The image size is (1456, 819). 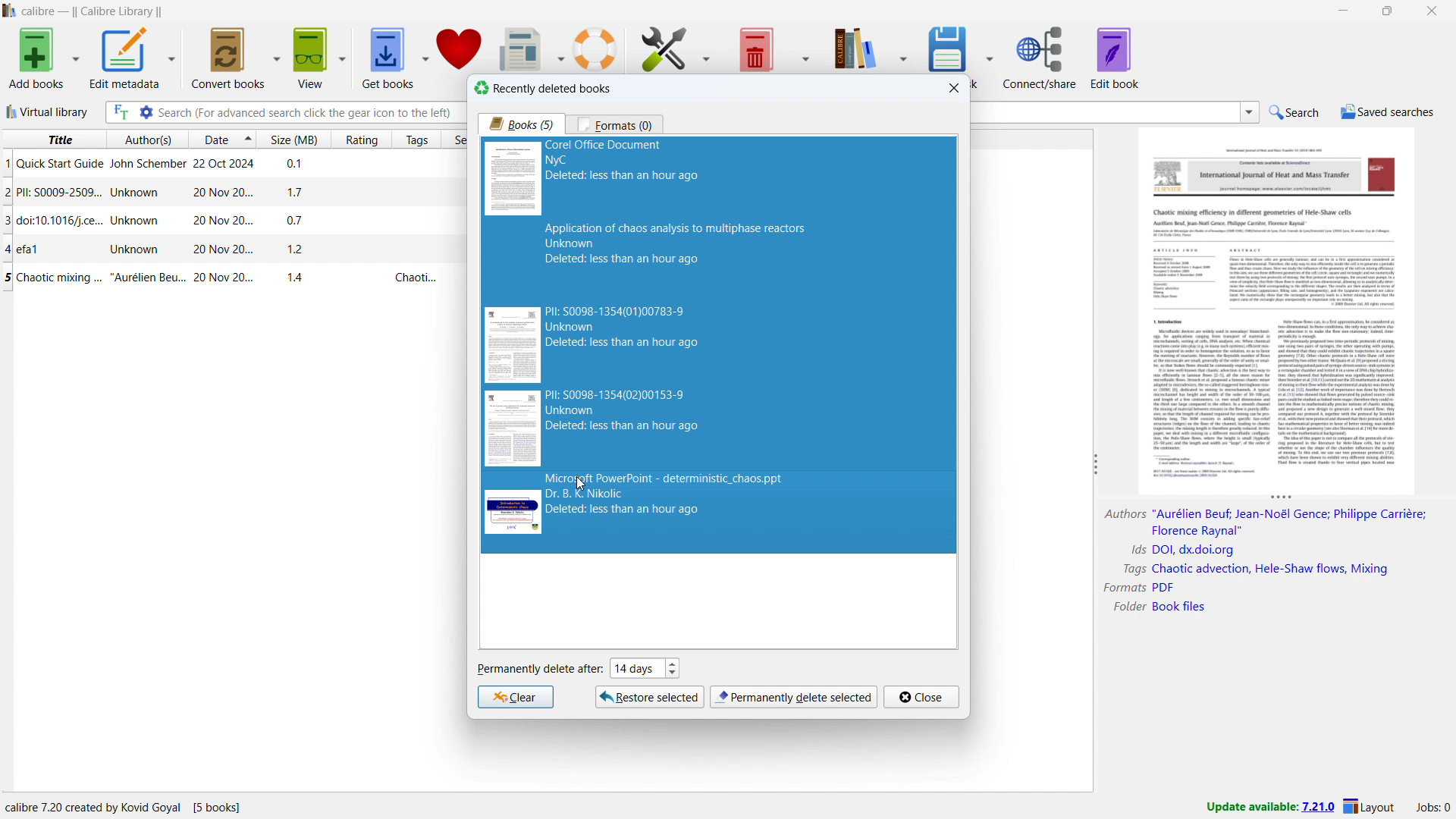 What do you see at coordinates (224, 278) in the screenshot?
I see `single book entry` at bounding box center [224, 278].